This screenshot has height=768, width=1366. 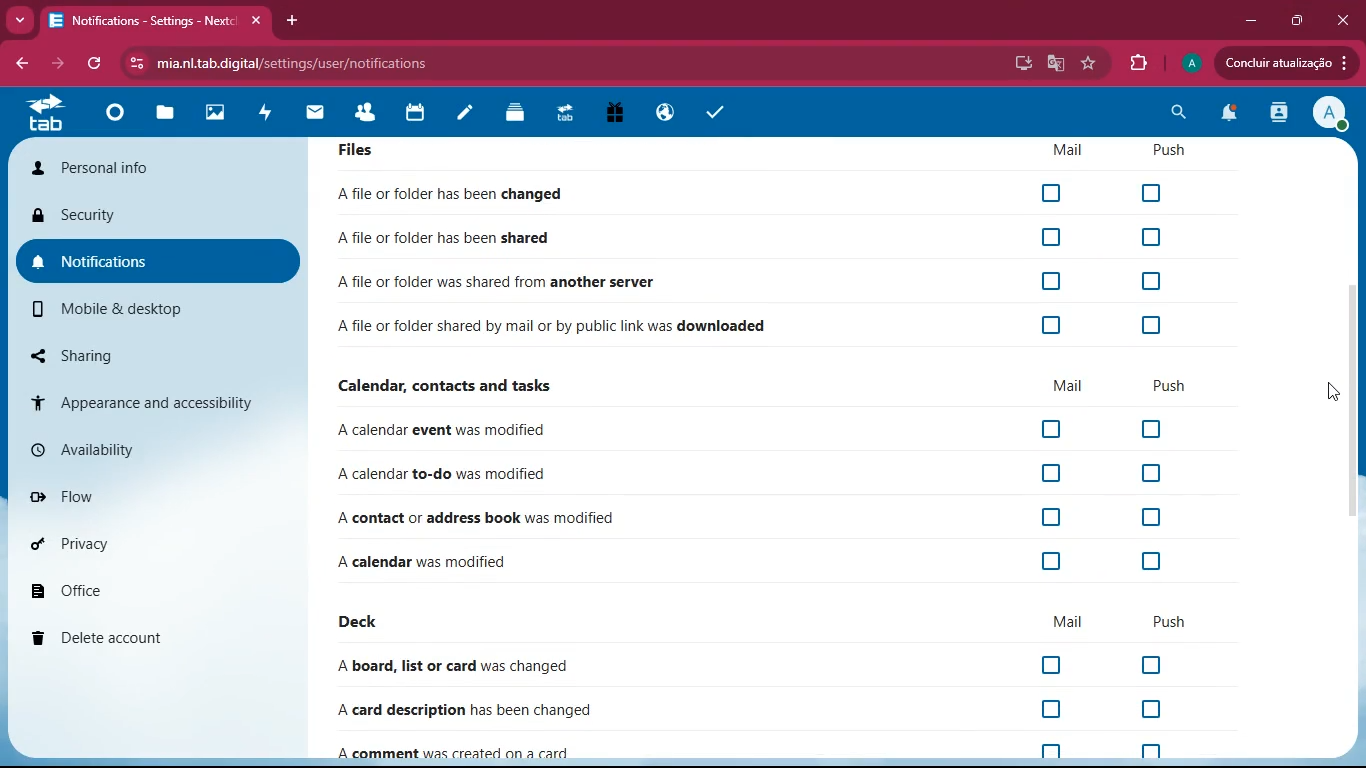 What do you see at coordinates (143, 21) in the screenshot?
I see `tab` at bounding box center [143, 21].